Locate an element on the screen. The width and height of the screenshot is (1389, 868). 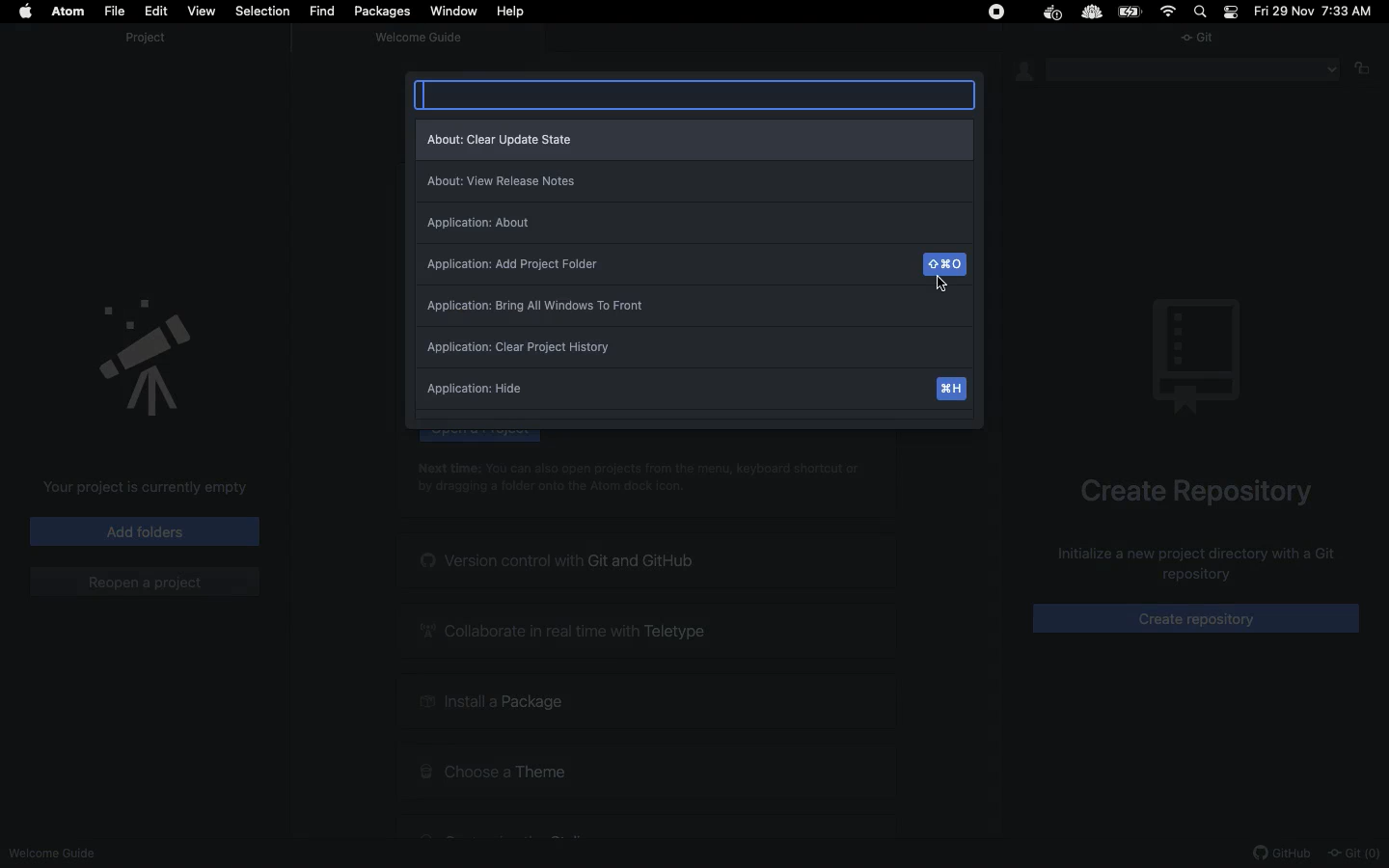
Emblem is located at coordinates (1196, 357).